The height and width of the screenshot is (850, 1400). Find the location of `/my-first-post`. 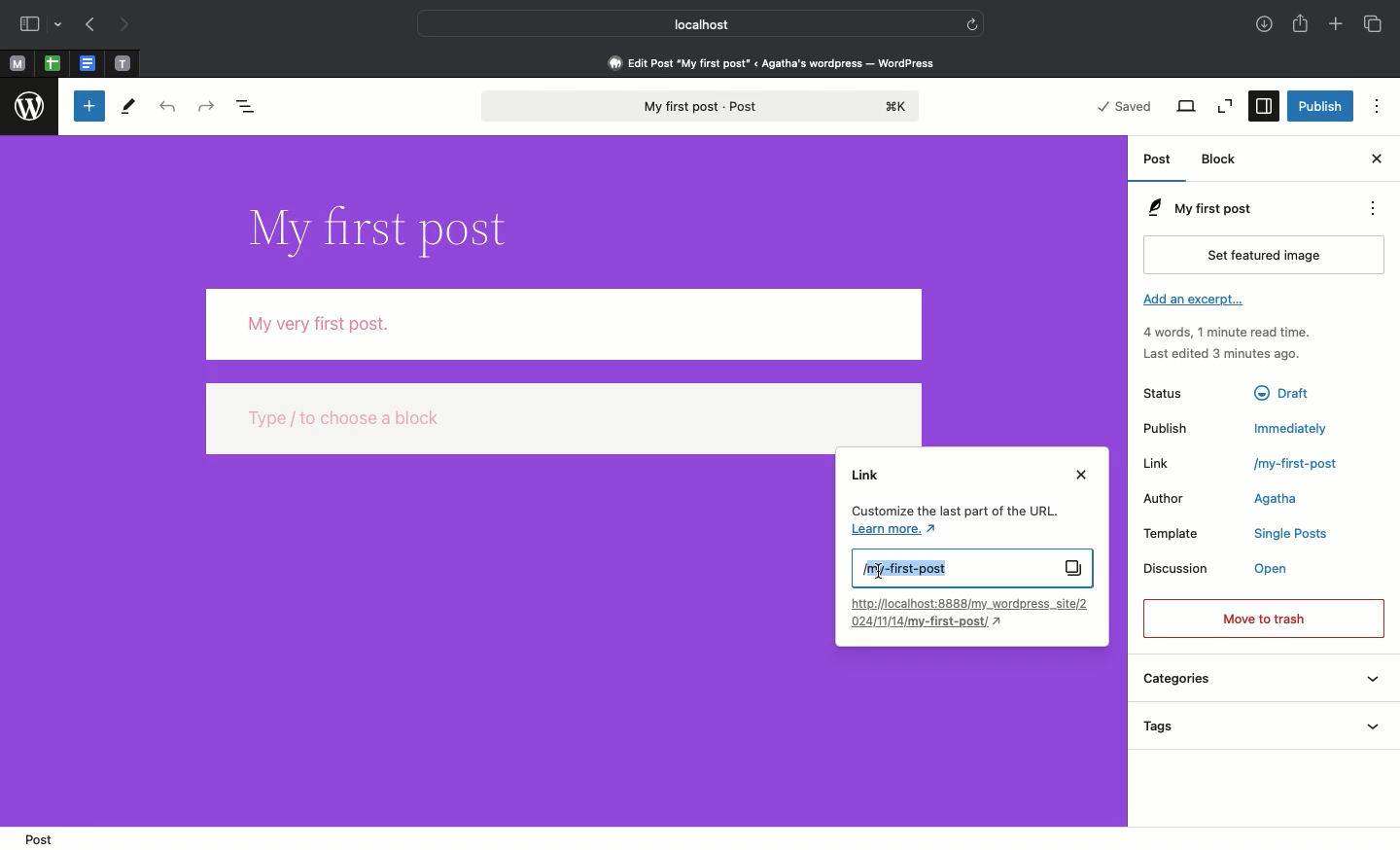

/my-first-post is located at coordinates (1293, 465).